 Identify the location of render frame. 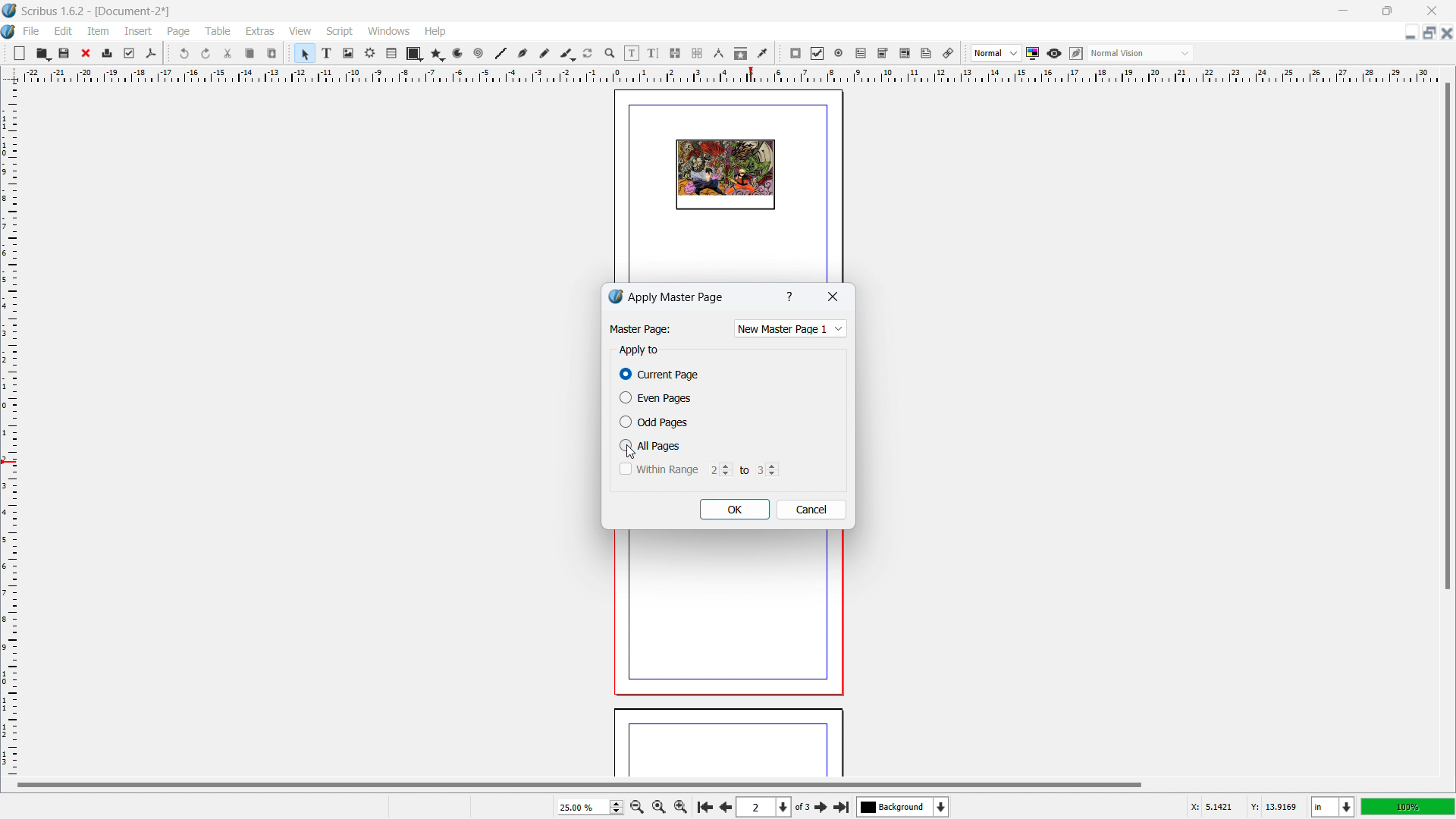
(370, 53).